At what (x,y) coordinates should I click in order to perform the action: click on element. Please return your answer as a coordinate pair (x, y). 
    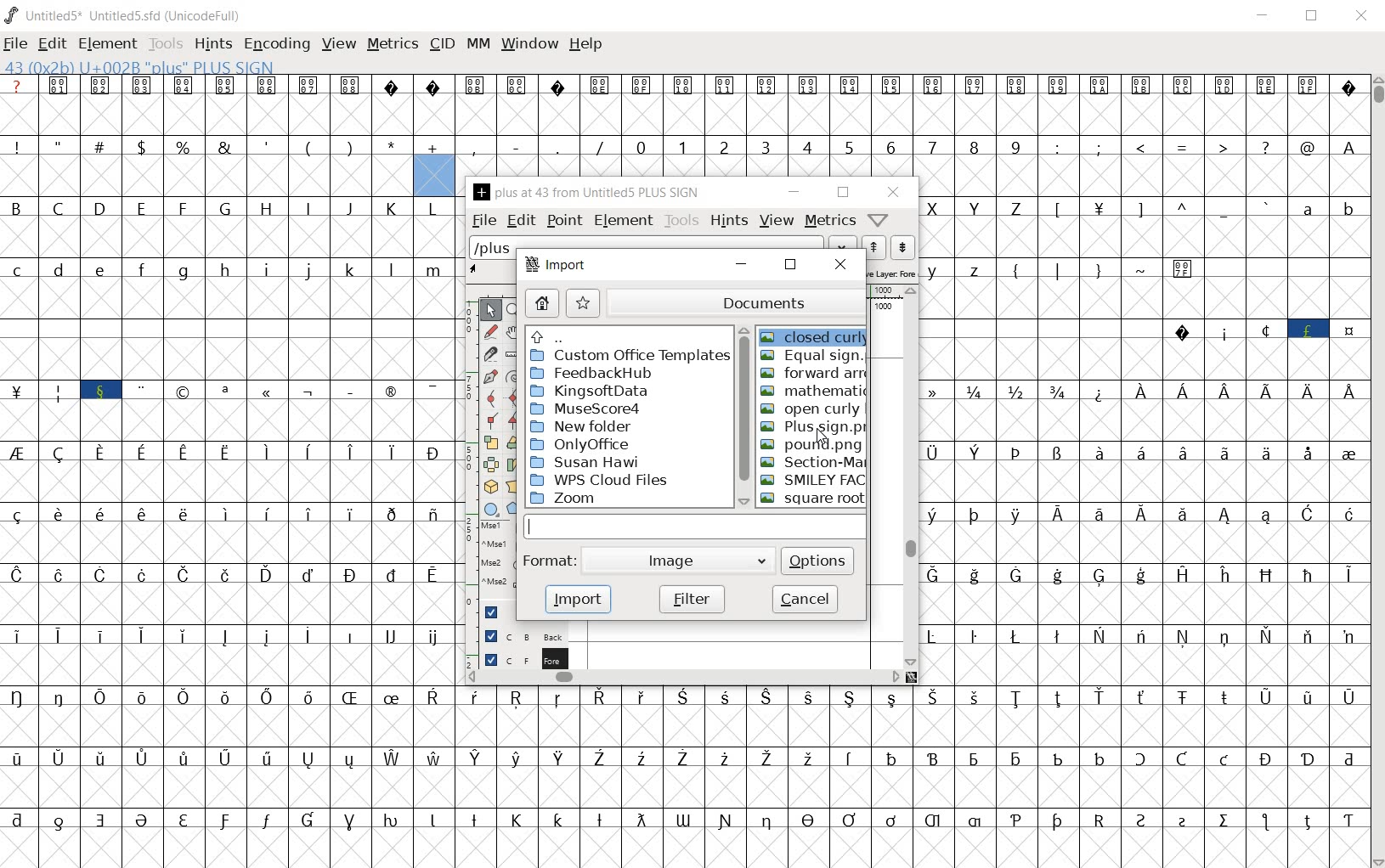
    Looking at the image, I should click on (622, 219).